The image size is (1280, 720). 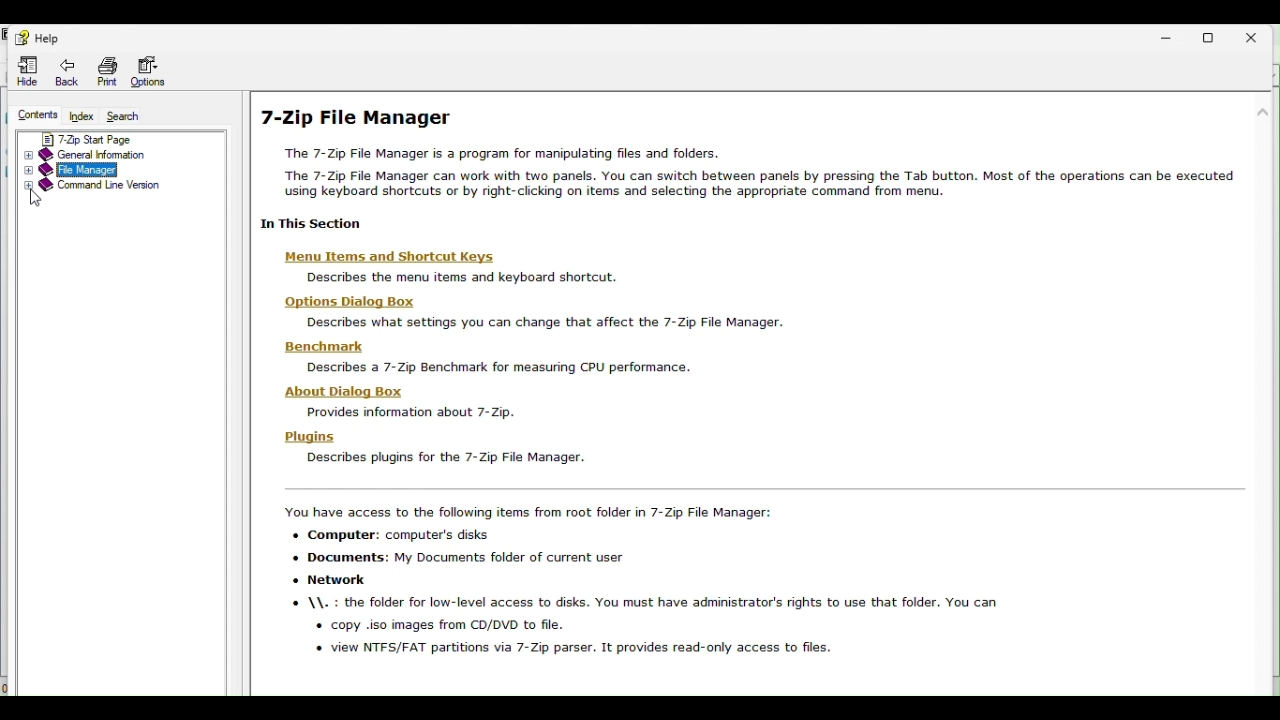 I want to click on Describes what settings you can change that affect the 7-Zip File Manager., so click(x=543, y=322).